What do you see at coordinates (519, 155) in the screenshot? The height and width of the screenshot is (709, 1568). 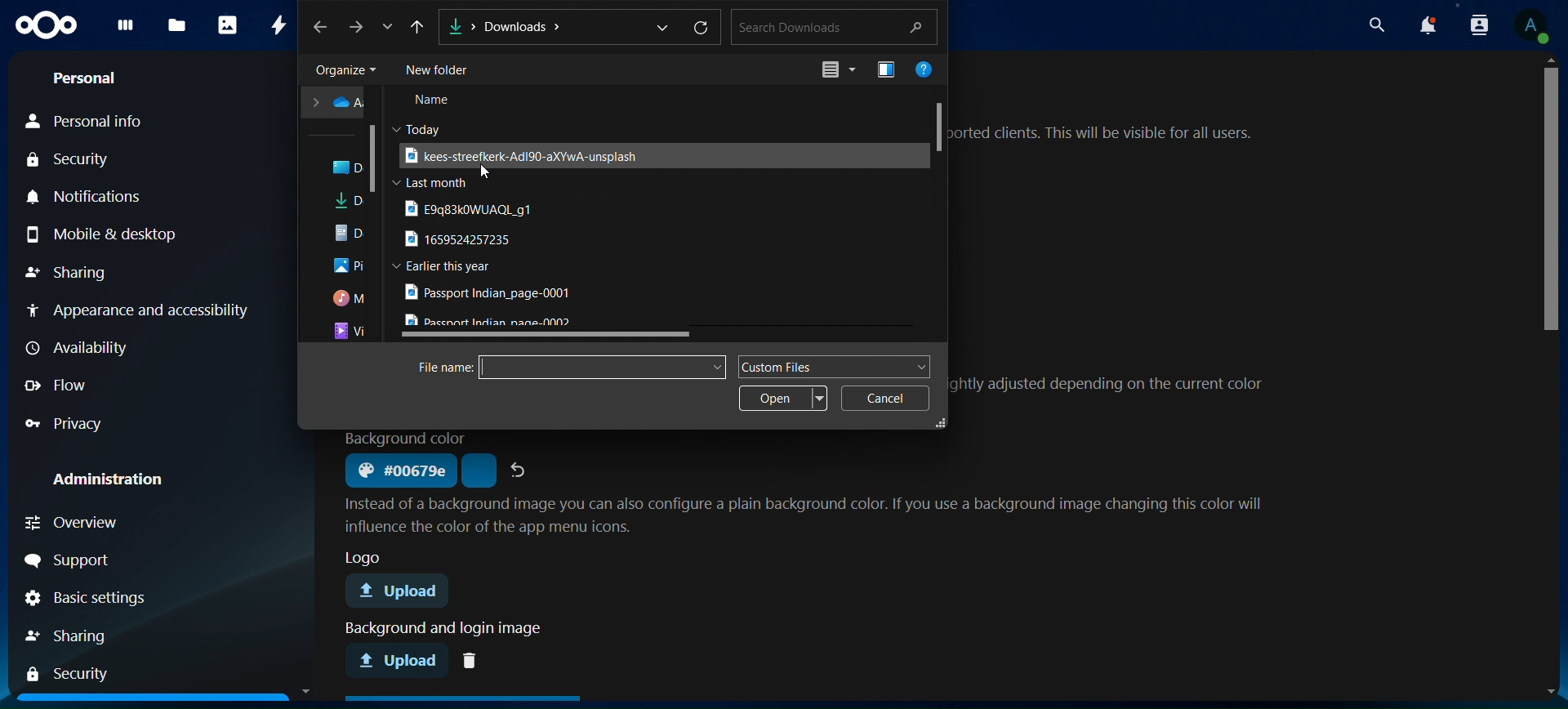 I see `file` at bounding box center [519, 155].